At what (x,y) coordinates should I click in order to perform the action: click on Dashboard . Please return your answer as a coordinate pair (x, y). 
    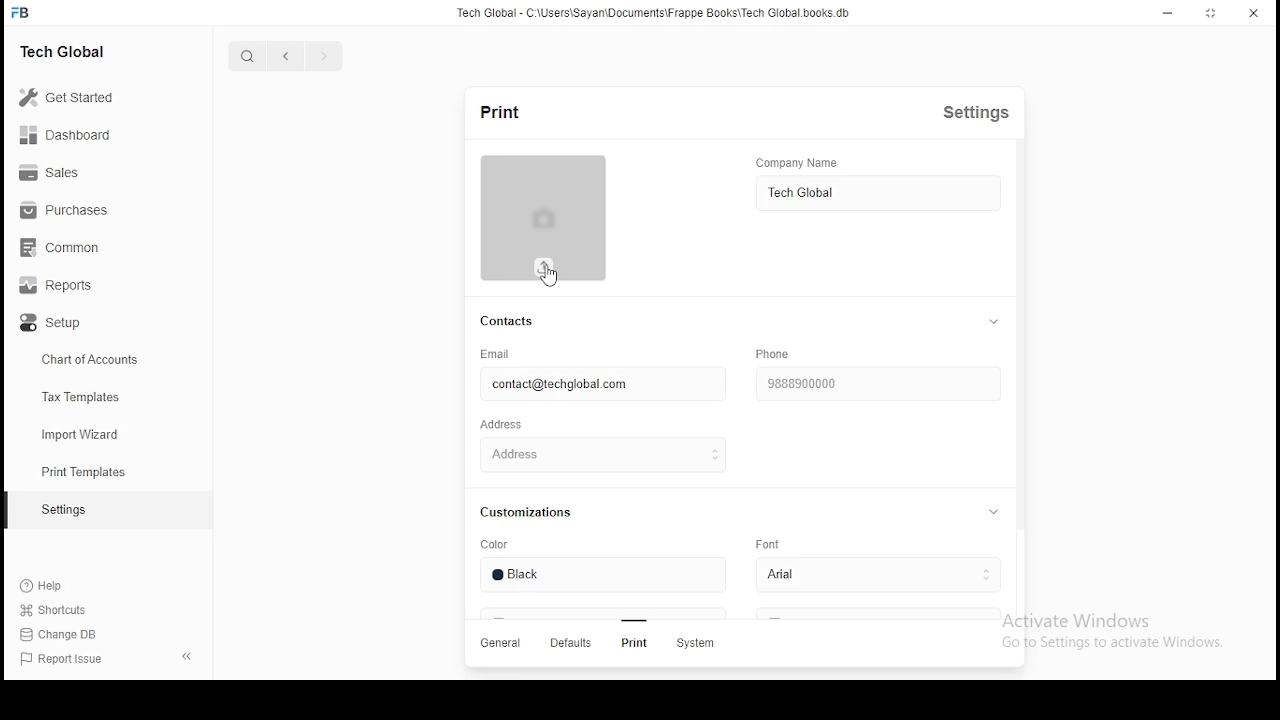
    Looking at the image, I should click on (85, 135).